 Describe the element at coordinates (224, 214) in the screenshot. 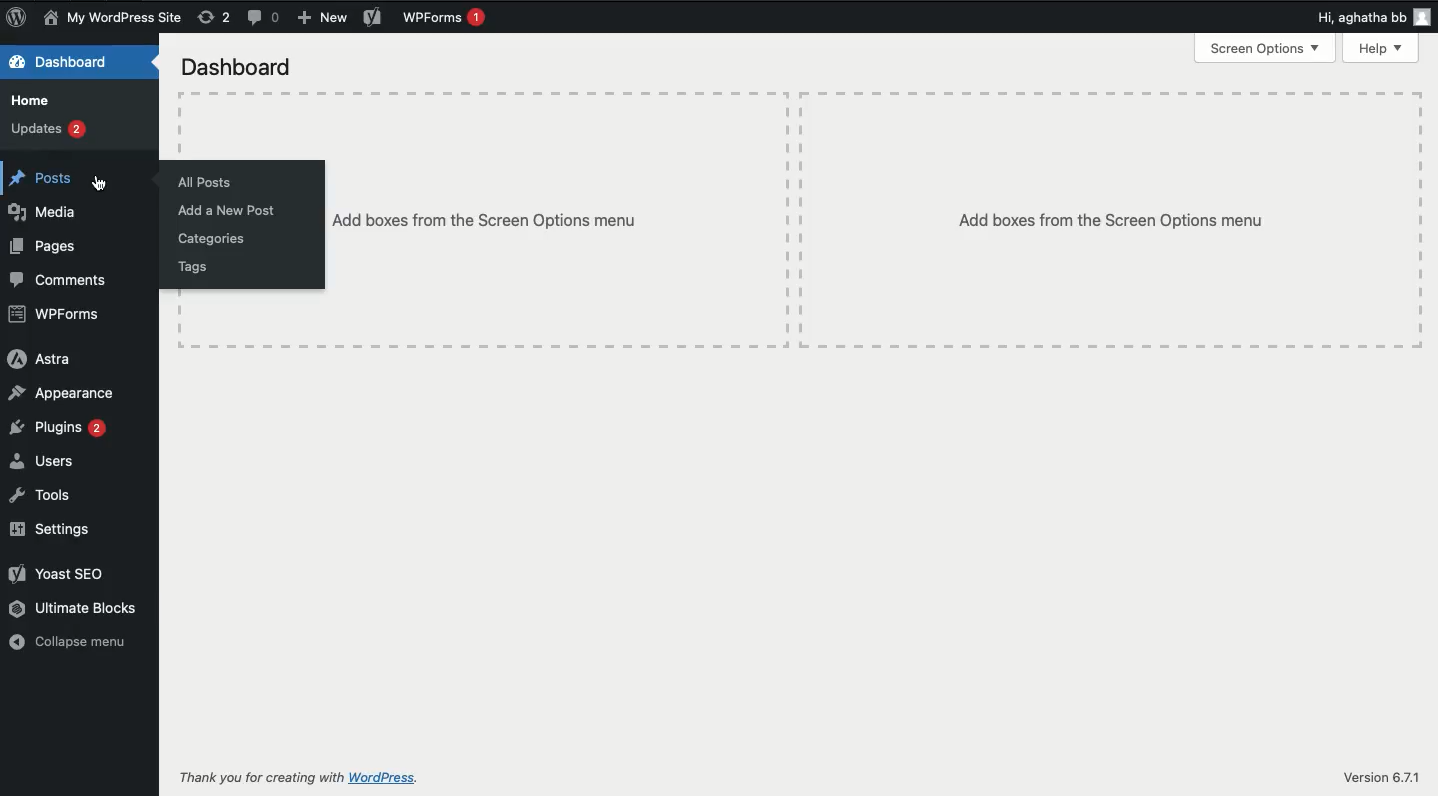

I see `Add a new post` at that location.